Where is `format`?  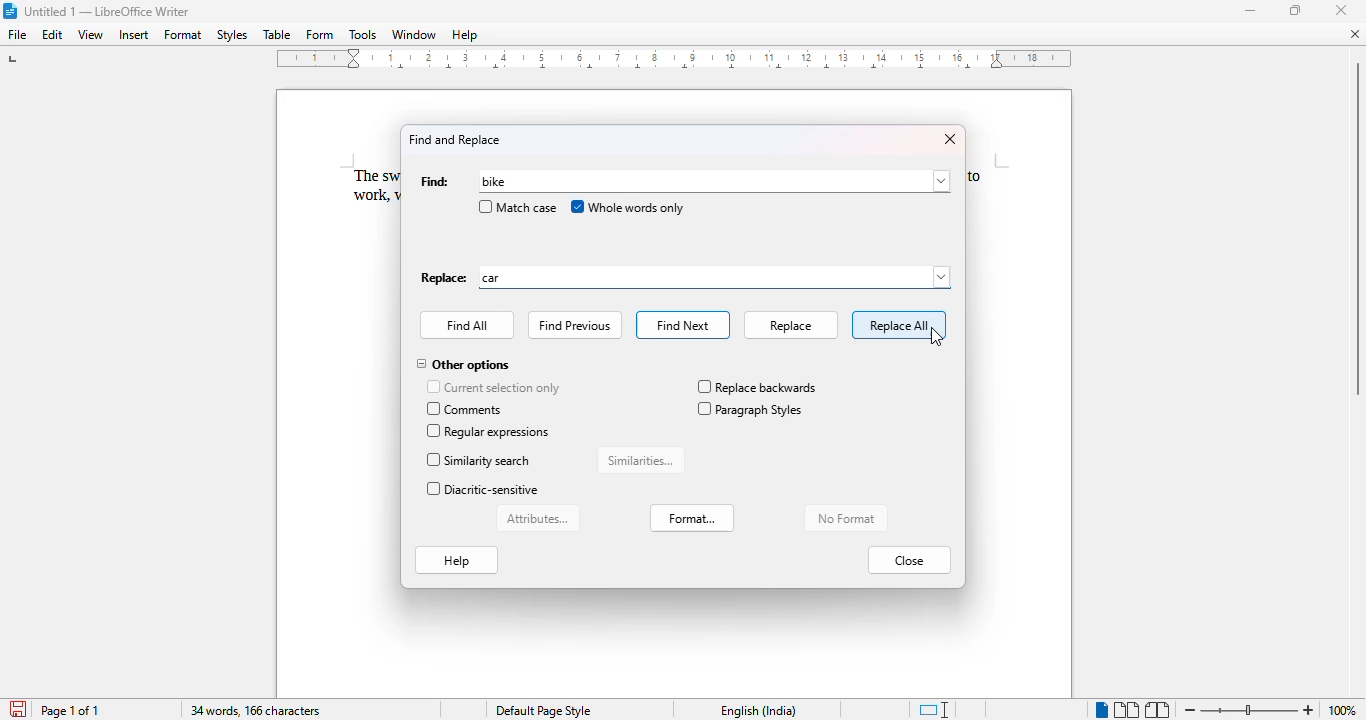 format is located at coordinates (184, 34).